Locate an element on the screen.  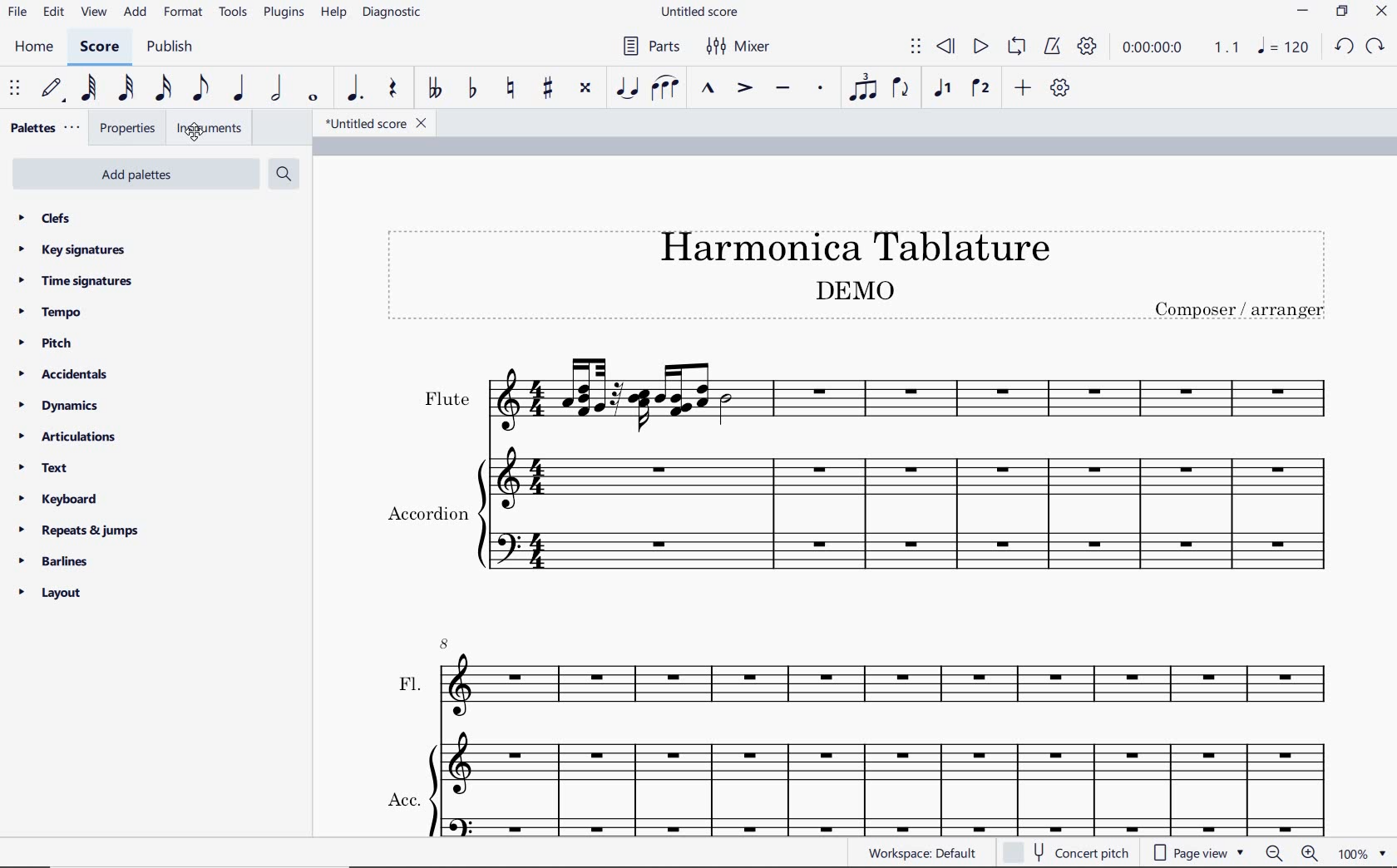
rewind is located at coordinates (949, 47).